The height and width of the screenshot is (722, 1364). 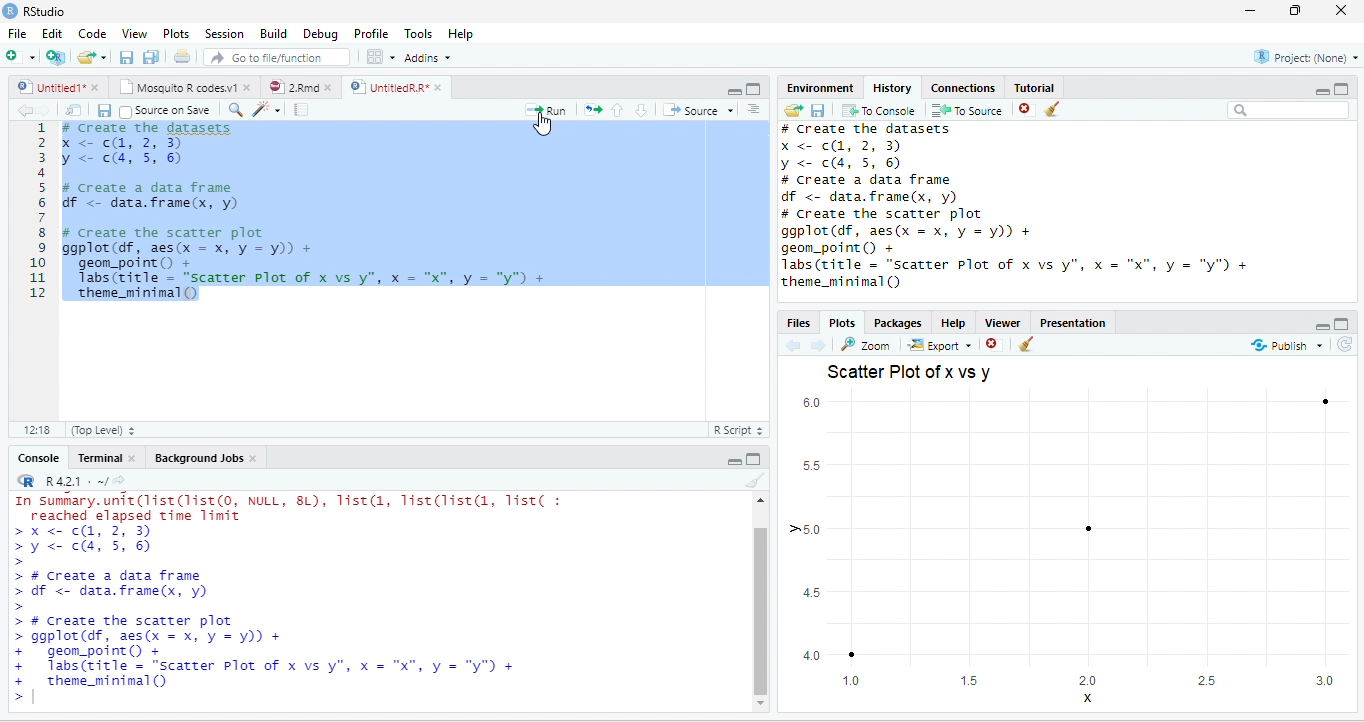 What do you see at coordinates (1071, 550) in the screenshot?
I see `plot` at bounding box center [1071, 550].